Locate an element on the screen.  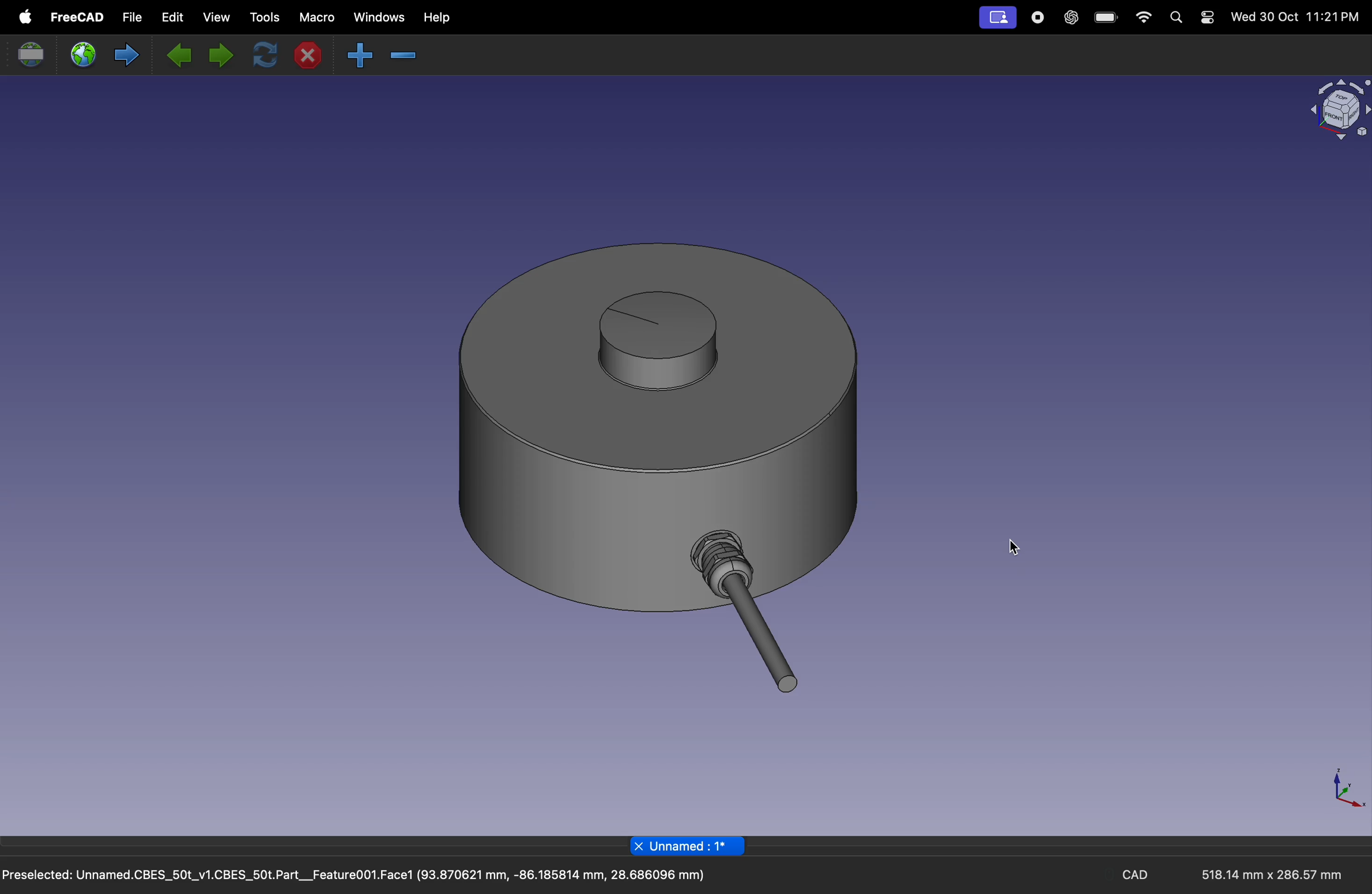
page title is located at coordinates (685, 846).